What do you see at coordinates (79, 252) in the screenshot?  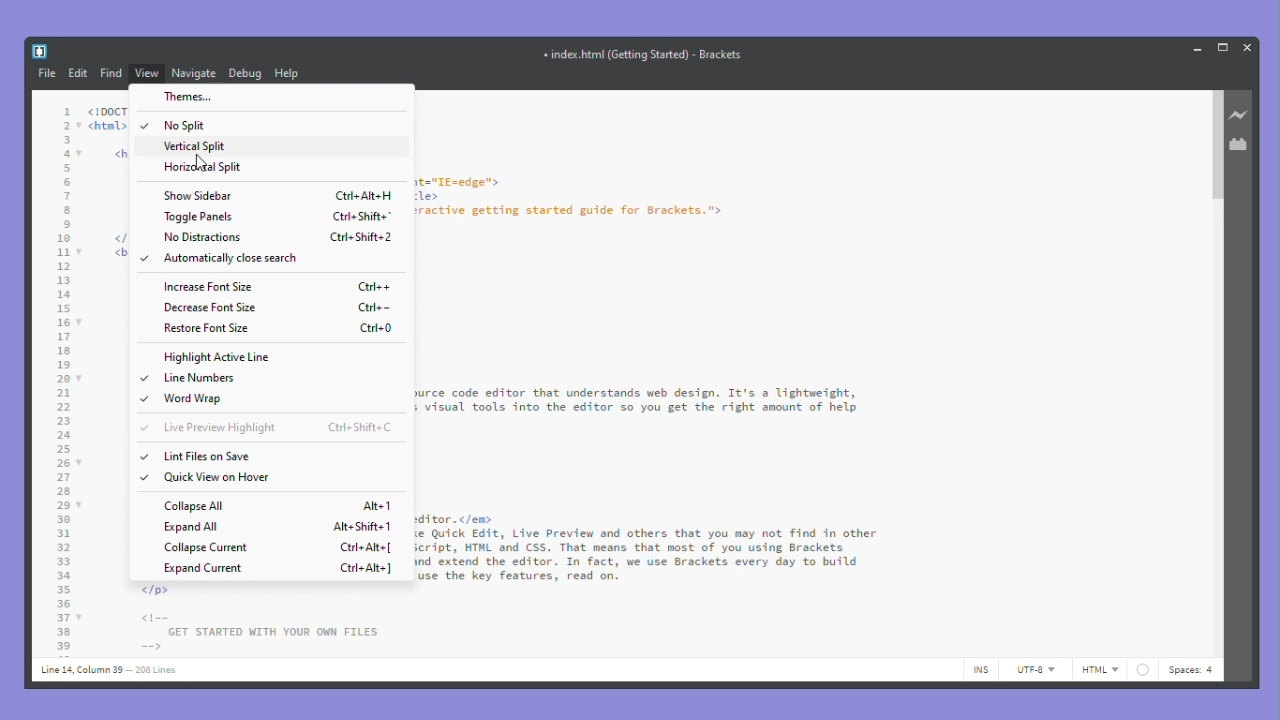 I see `code fold` at bounding box center [79, 252].